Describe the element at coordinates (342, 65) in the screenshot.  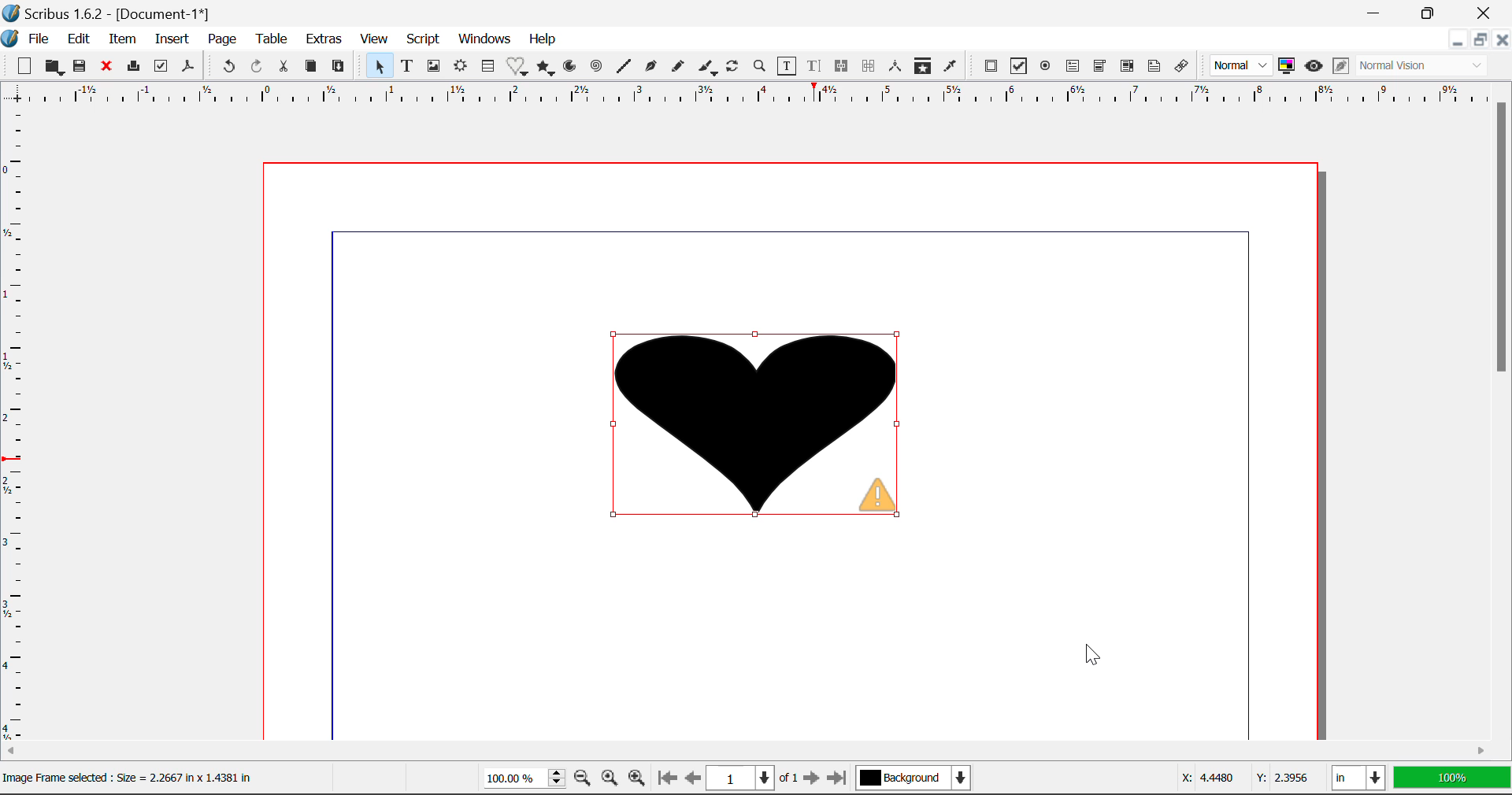
I see `Paste` at that location.